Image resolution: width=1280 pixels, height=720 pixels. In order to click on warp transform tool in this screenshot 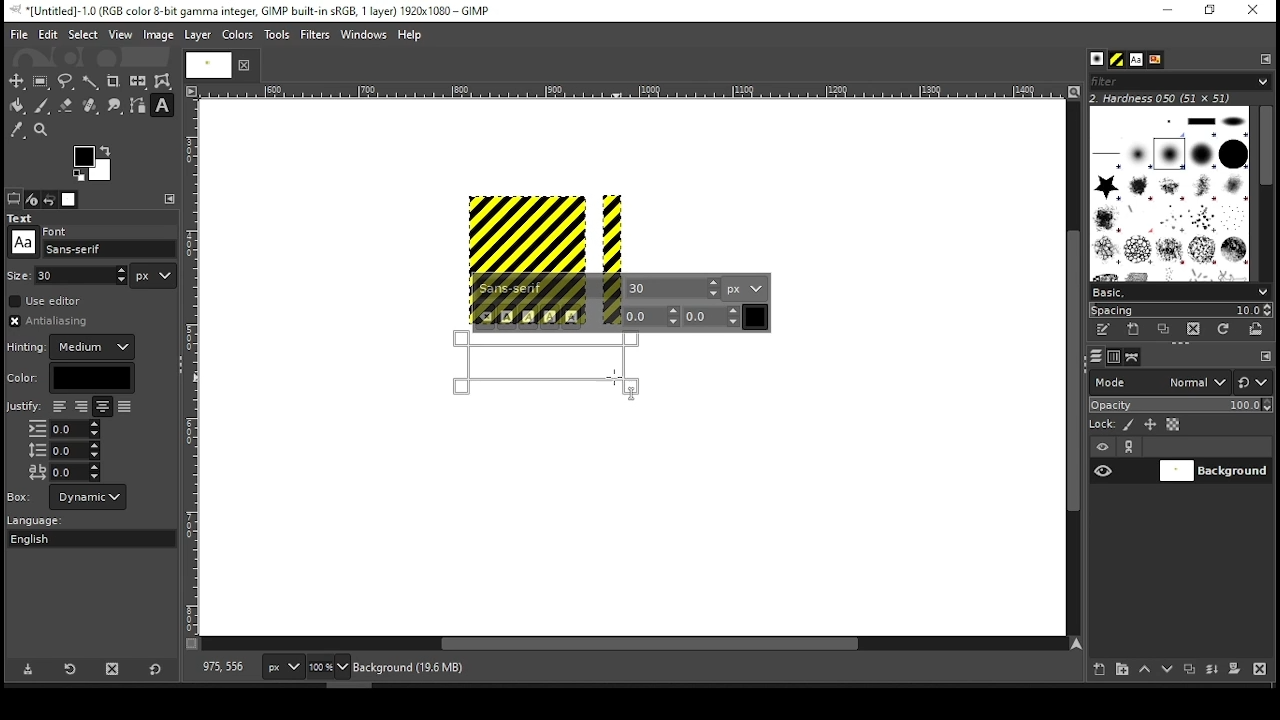, I will do `click(162, 82)`.